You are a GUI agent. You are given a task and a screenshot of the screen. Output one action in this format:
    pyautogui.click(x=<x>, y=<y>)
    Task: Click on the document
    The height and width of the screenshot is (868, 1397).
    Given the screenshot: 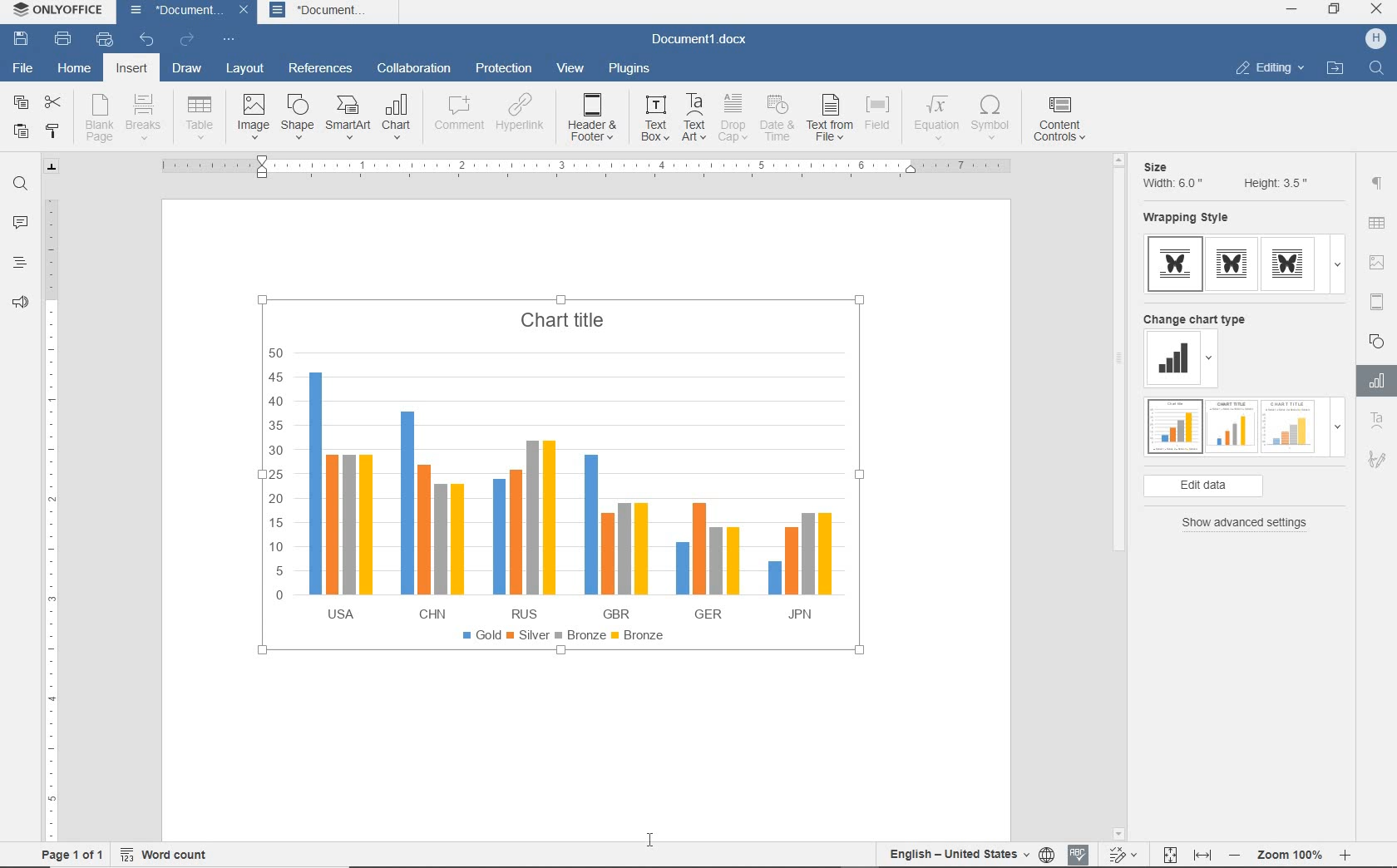 What is the action you would take?
    pyautogui.click(x=332, y=12)
    